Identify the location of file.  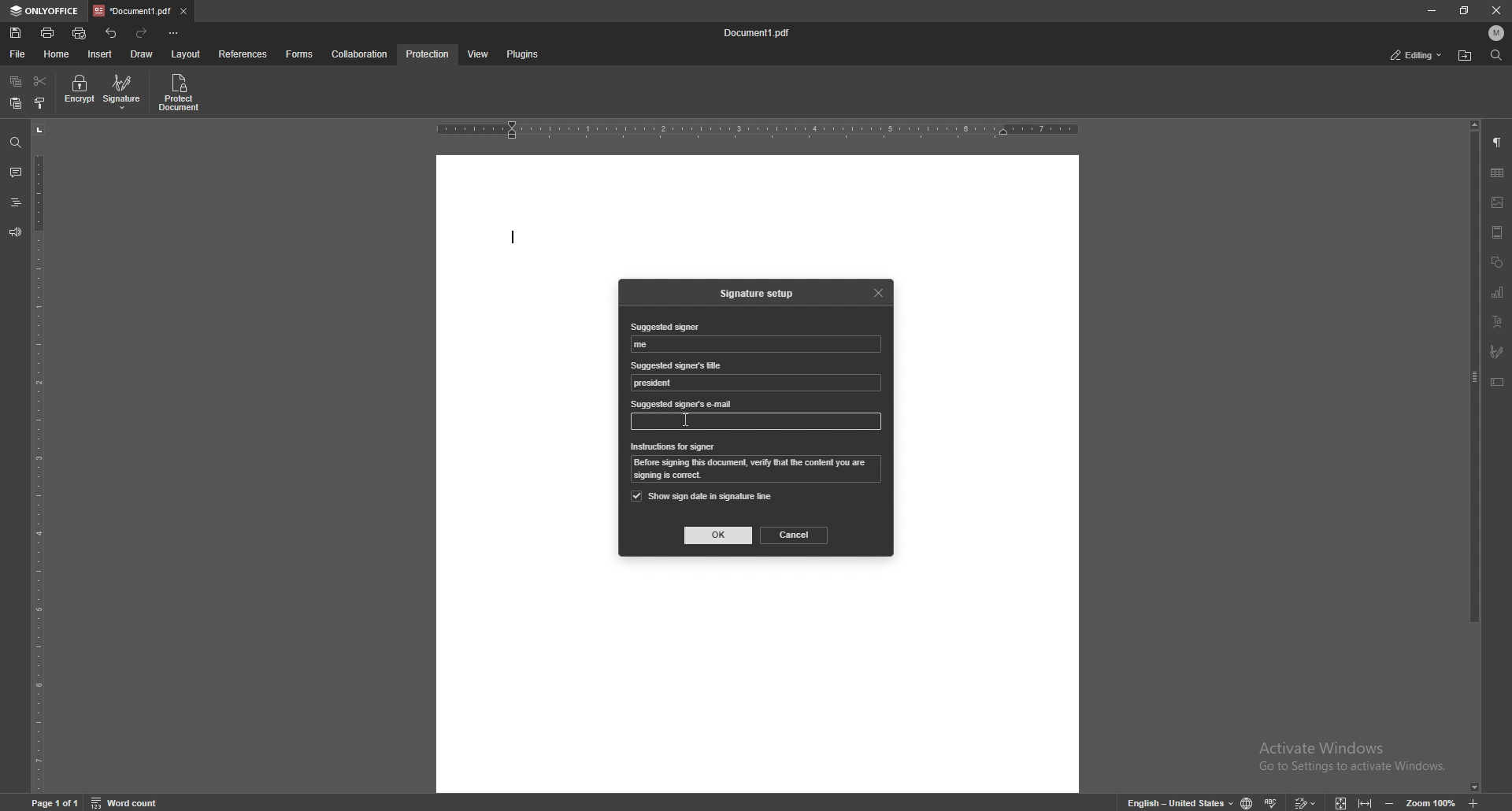
(19, 54).